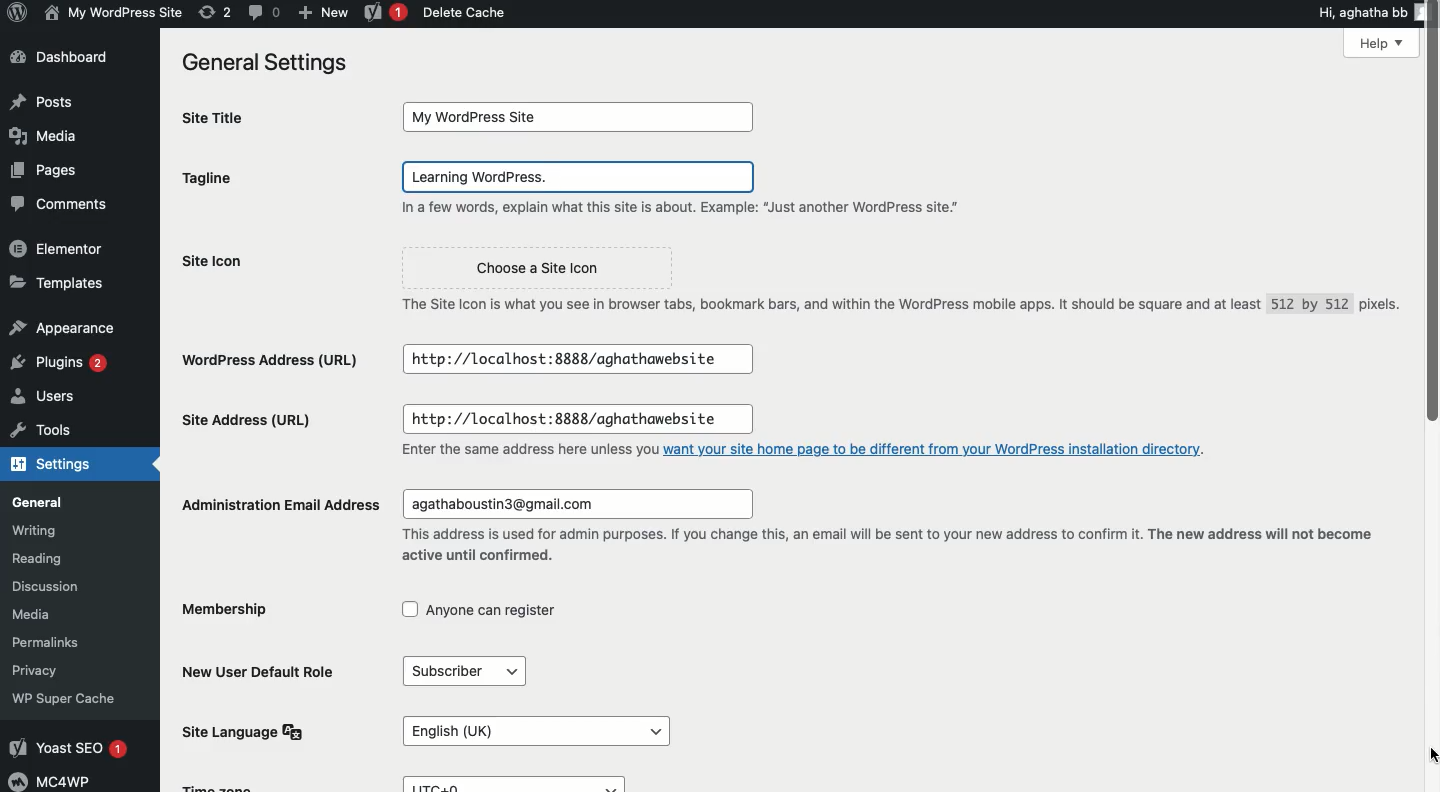 Image resolution: width=1440 pixels, height=792 pixels. Describe the element at coordinates (50, 643) in the screenshot. I see `Permalinks` at that location.